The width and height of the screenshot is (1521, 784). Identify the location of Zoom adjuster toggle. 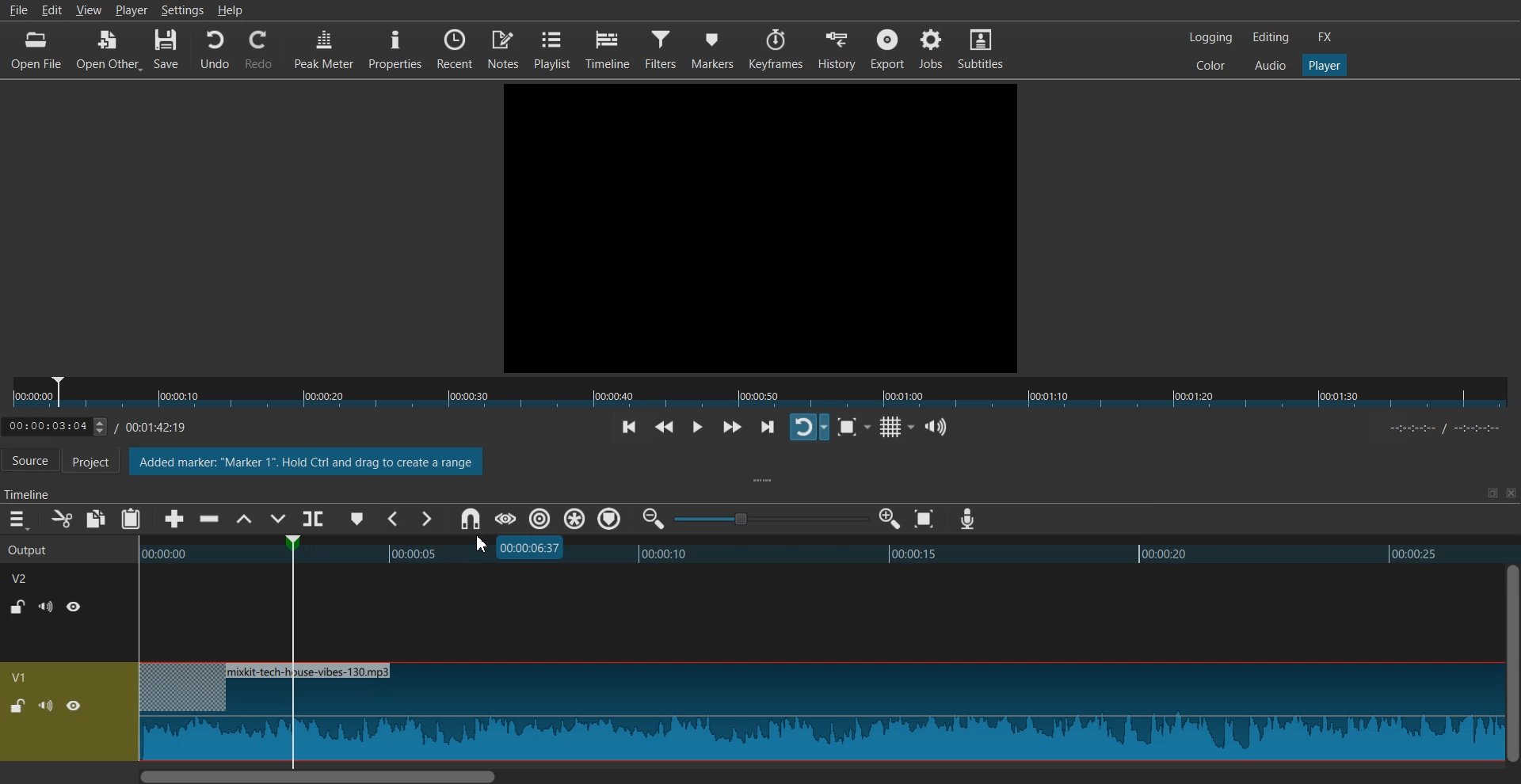
(771, 519).